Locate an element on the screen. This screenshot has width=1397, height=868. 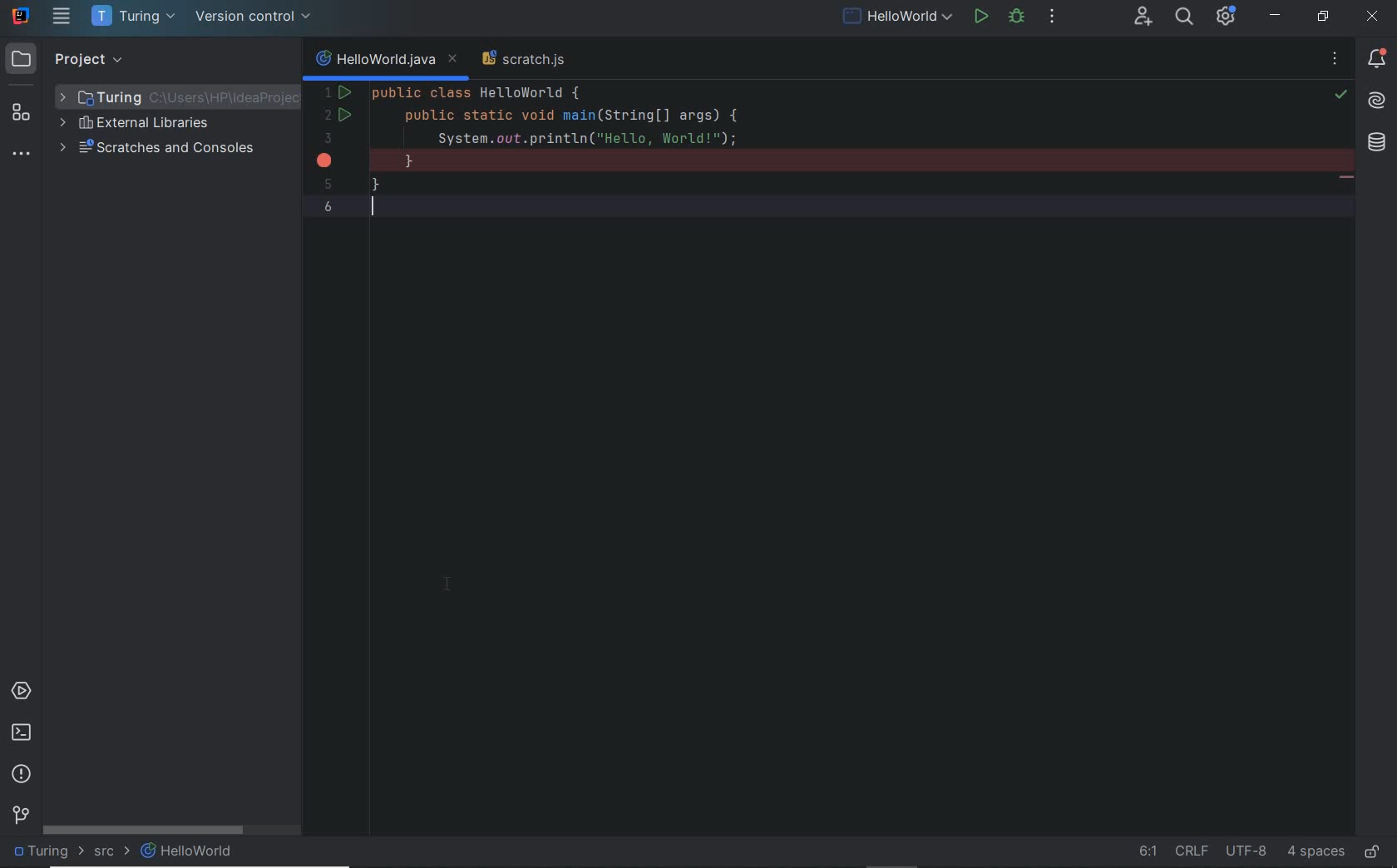
1 is located at coordinates (328, 93).